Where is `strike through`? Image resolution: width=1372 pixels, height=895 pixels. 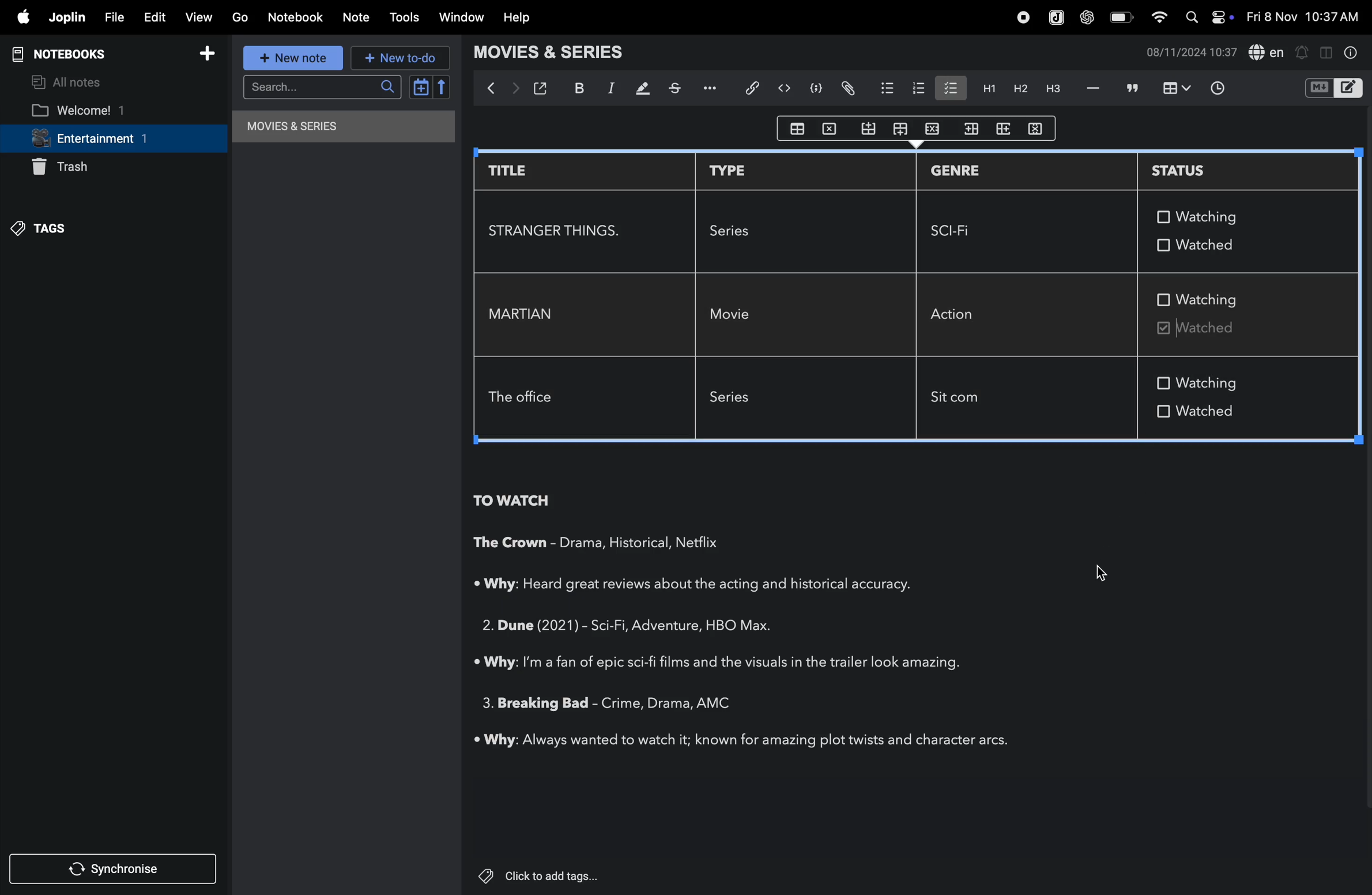
strike through is located at coordinates (679, 88).